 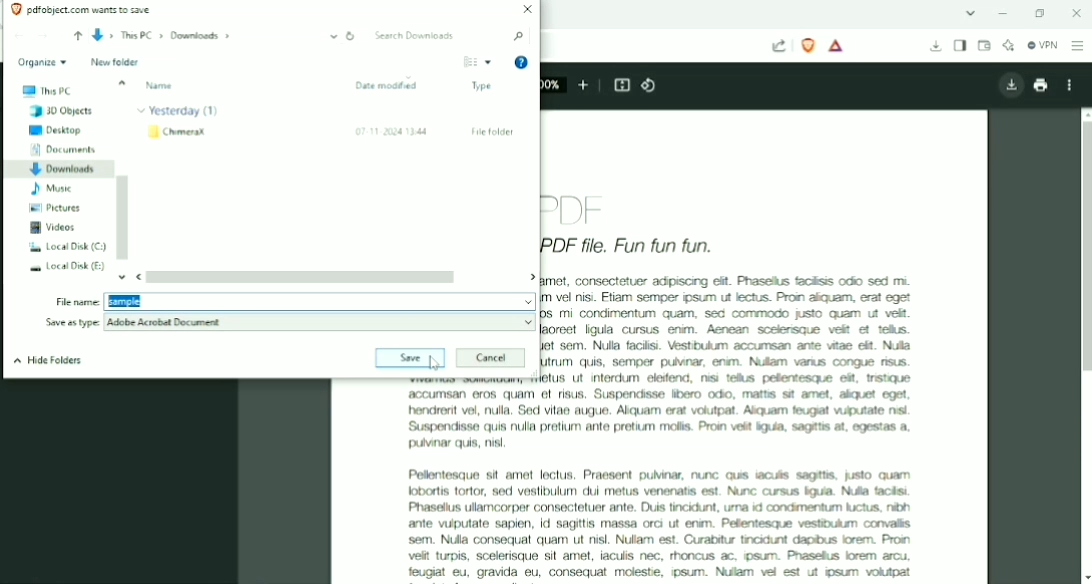 I want to click on Search Tabs, so click(x=971, y=14).